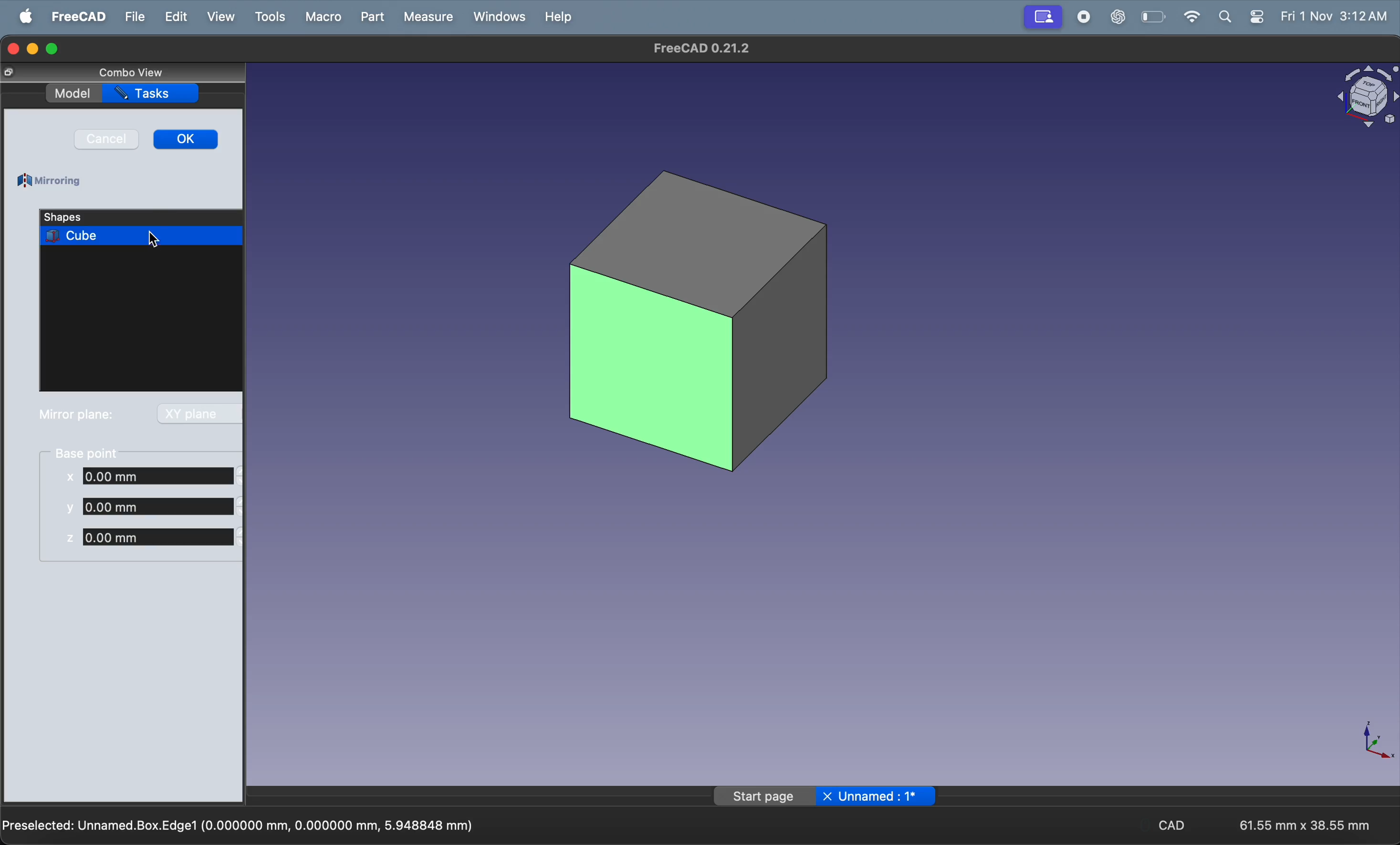  I want to click on Combo View, so click(131, 72).